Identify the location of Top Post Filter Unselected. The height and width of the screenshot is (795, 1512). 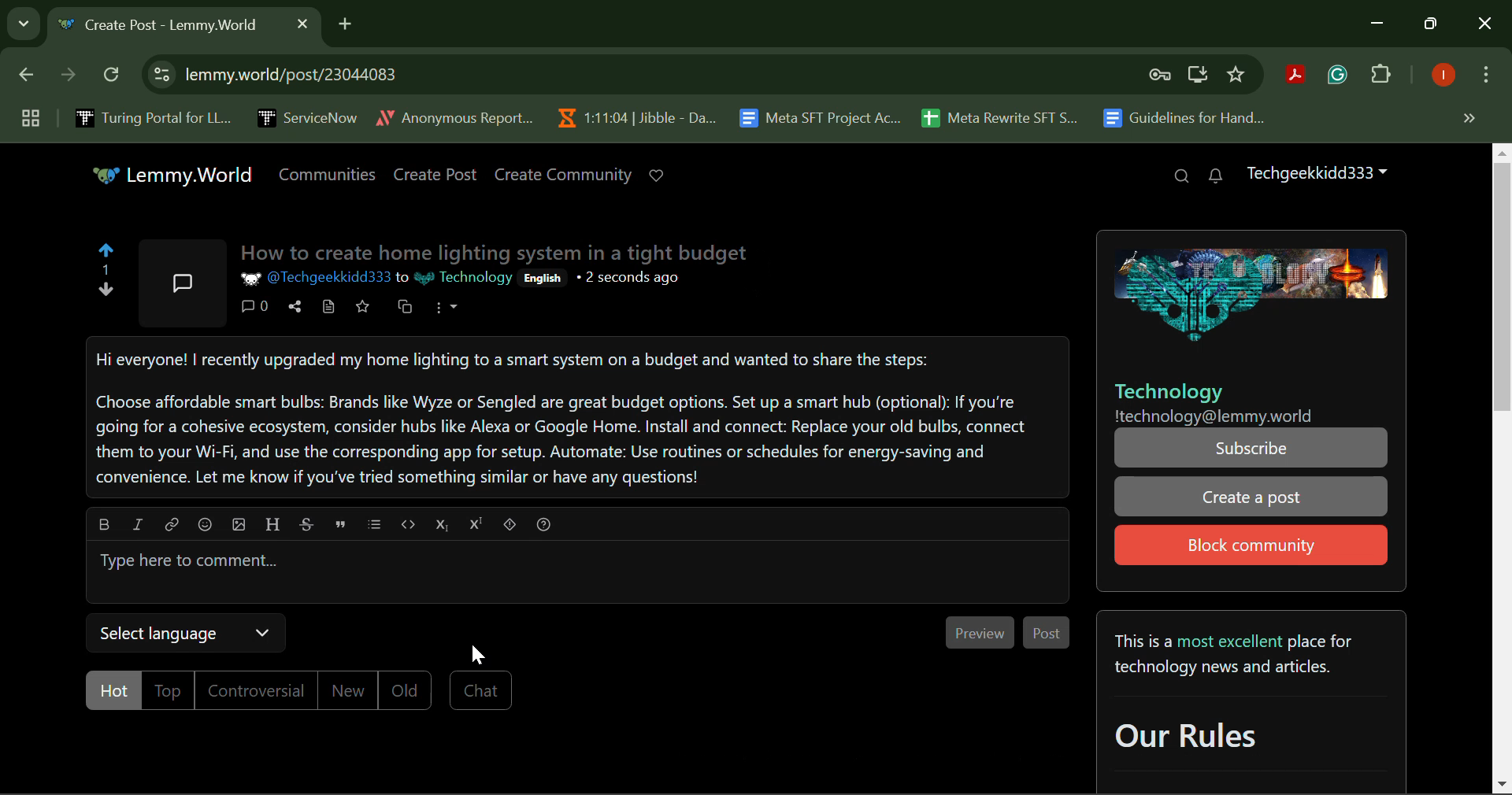
(171, 690).